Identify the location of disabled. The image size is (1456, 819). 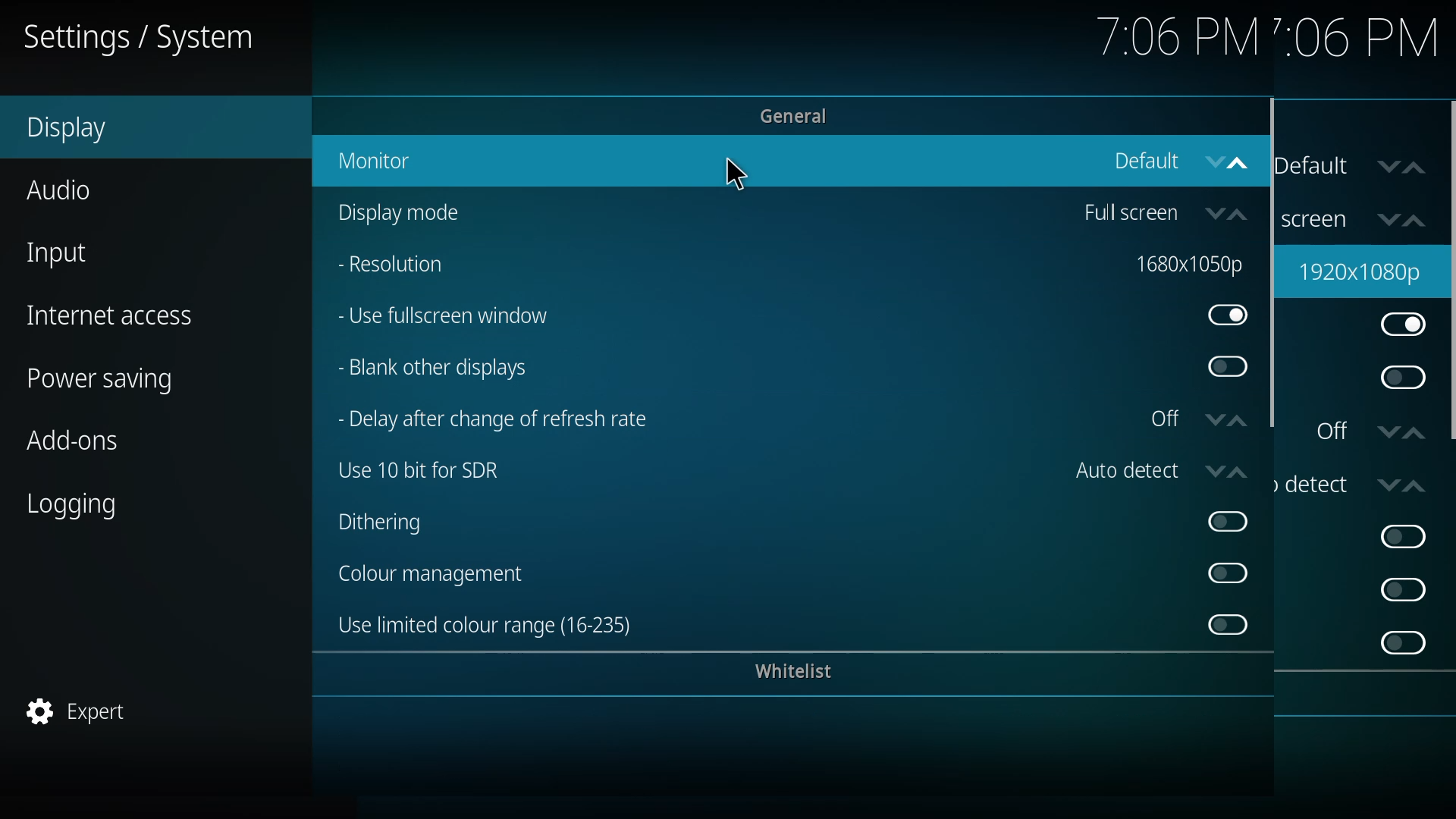
(1222, 524).